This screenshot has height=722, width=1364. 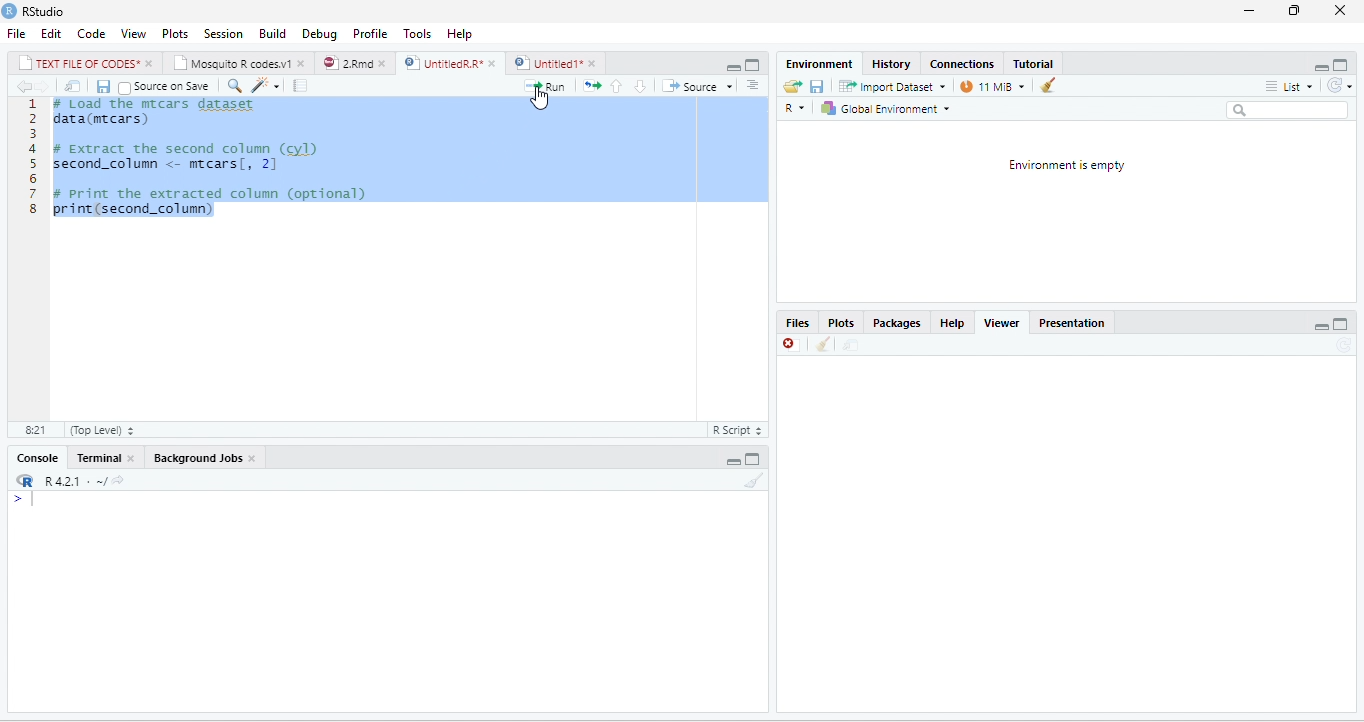 What do you see at coordinates (688, 87) in the screenshot?
I see `source` at bounding box center [688, 87].